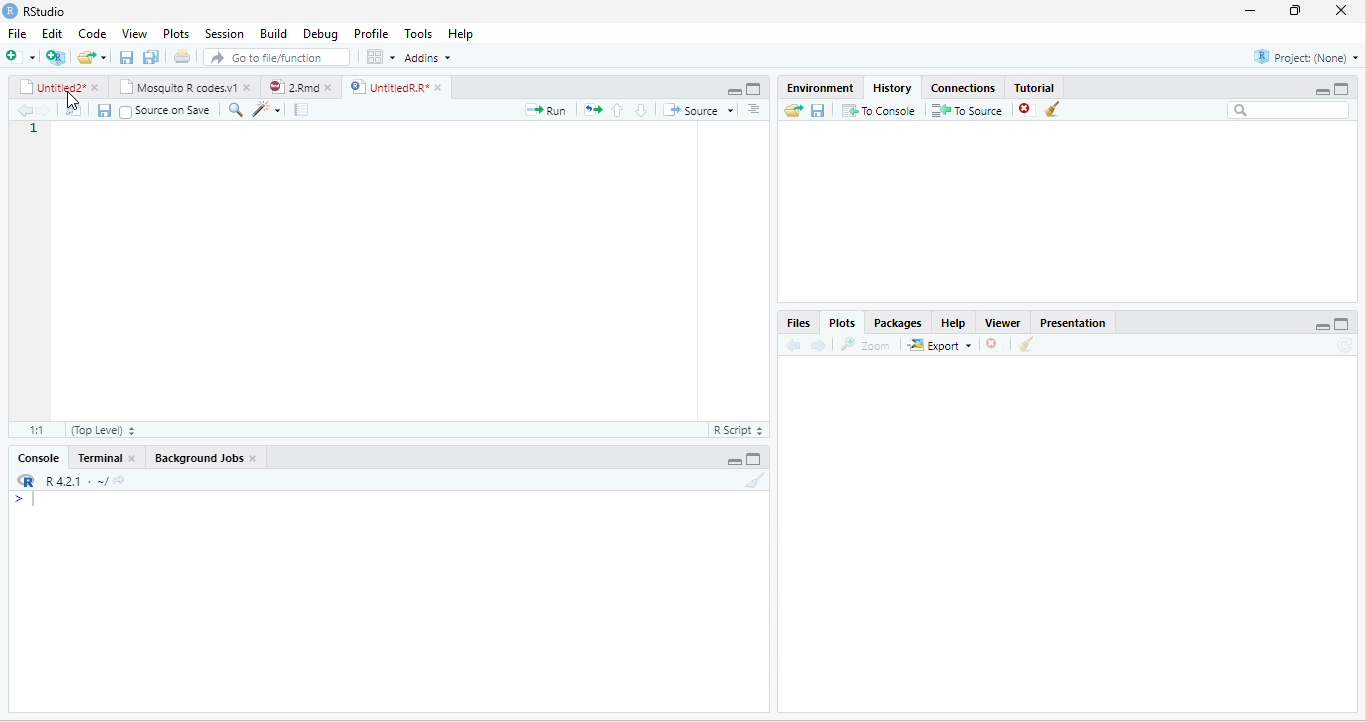 This screenshot has height=722, width=1366. What do you see at coordinates (217, 458) in the screenshot?
I see `Backgroun jobs` at bounding box center [217, 458].